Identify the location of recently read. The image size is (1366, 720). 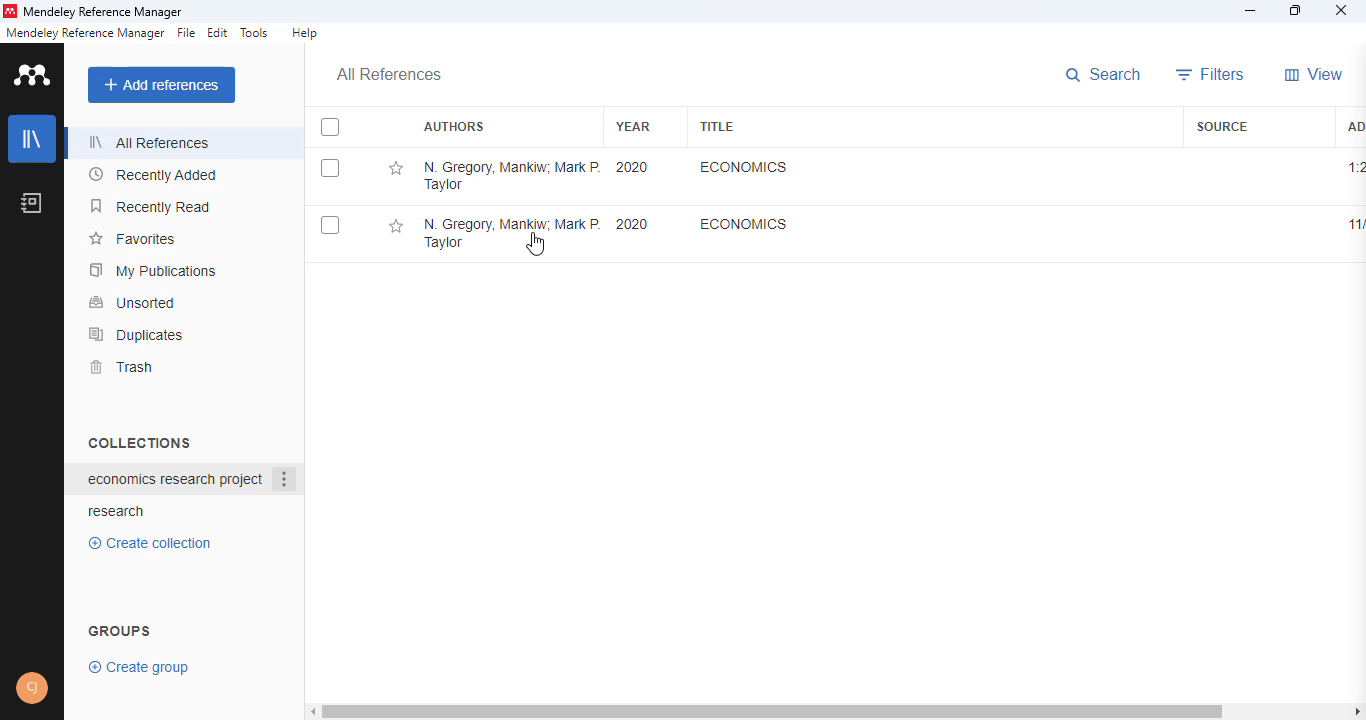
(152, 206).